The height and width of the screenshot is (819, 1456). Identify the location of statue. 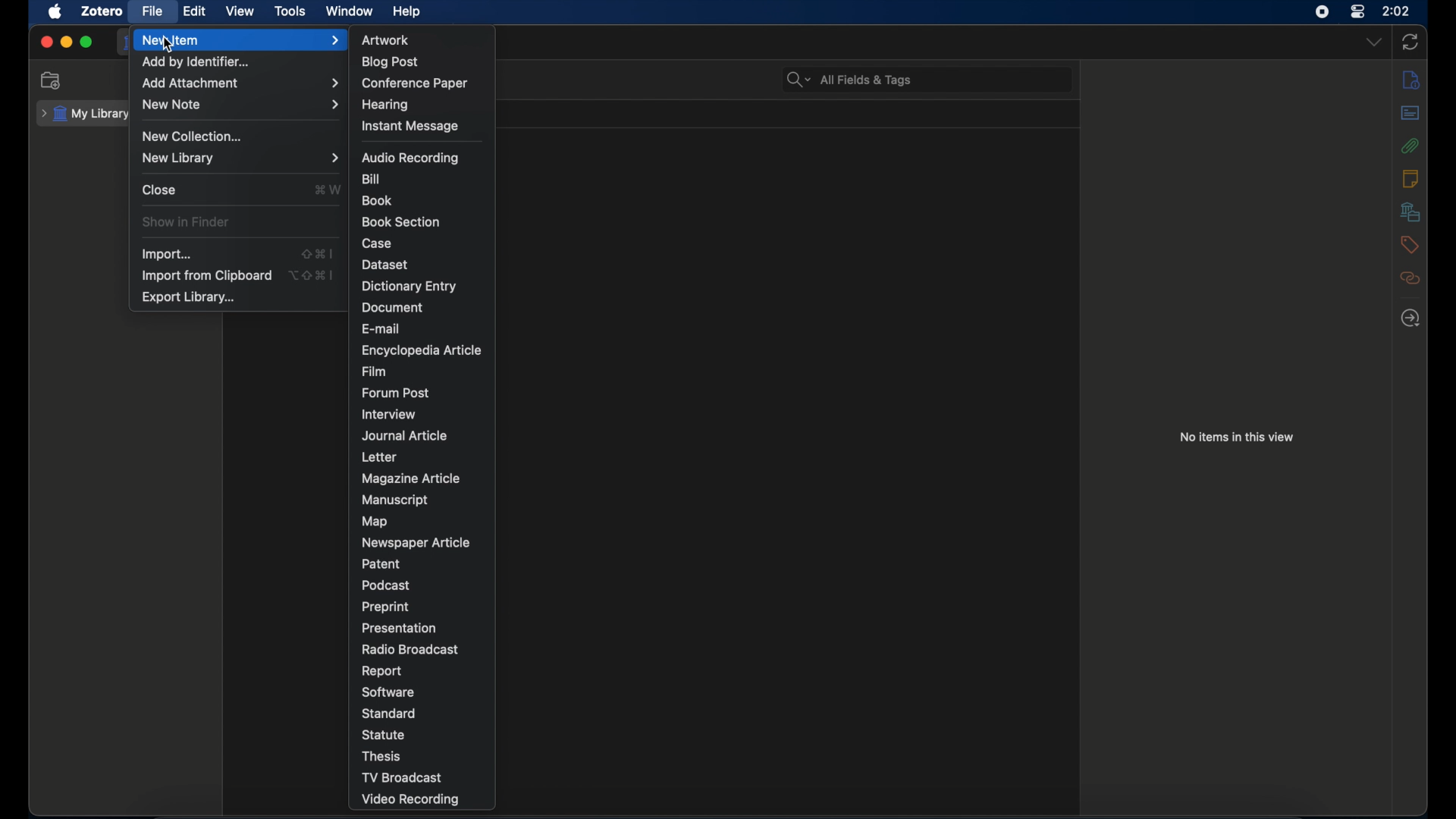
(383, 734).